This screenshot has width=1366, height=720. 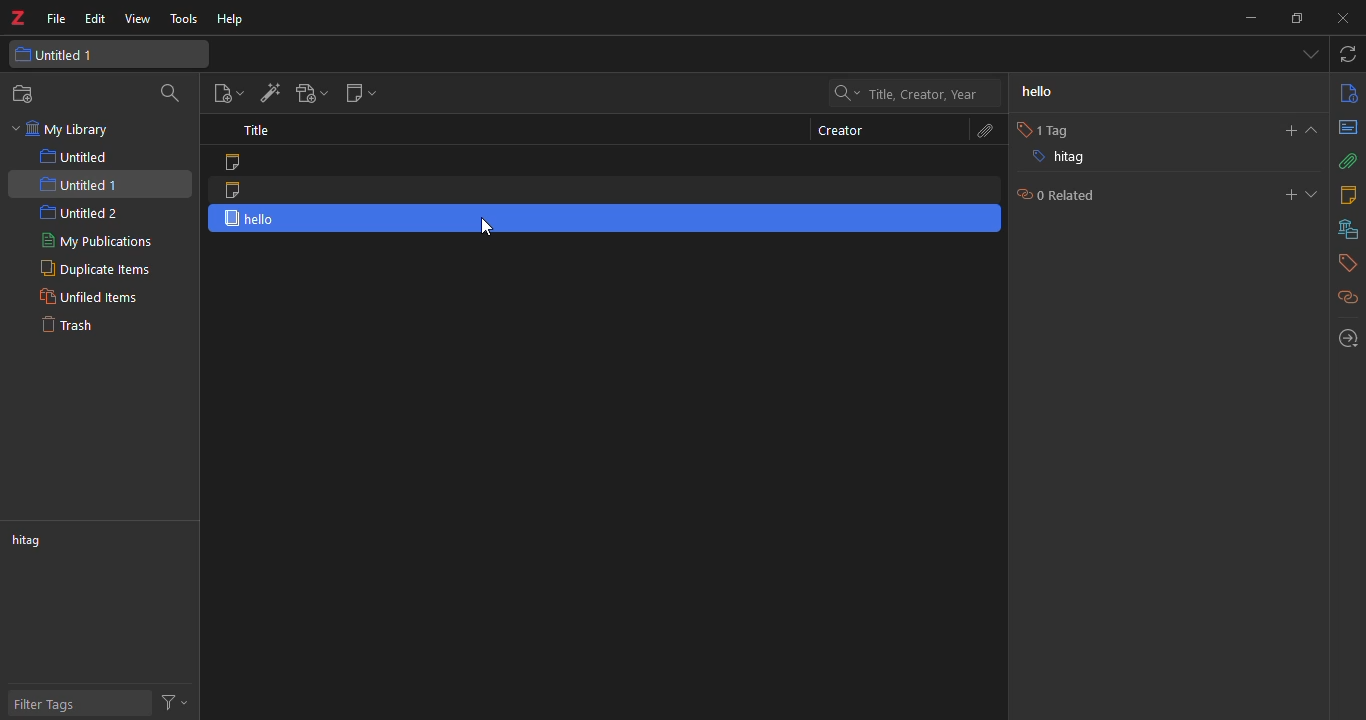 I want to click on search, so click(x=170, y=95).